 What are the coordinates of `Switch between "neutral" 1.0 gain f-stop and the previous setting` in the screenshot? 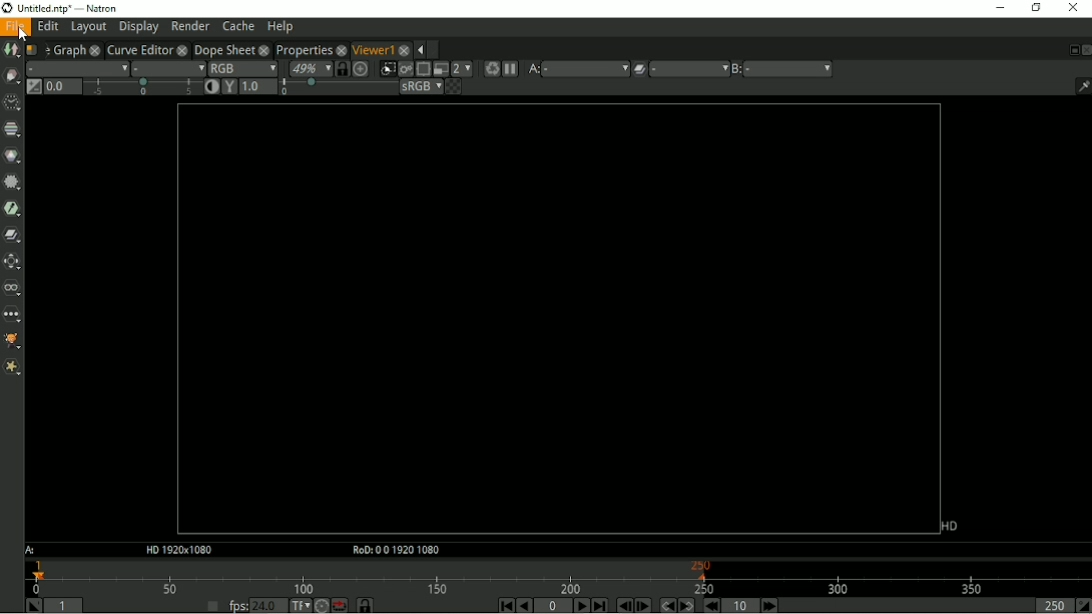 It's located at (32, 86).